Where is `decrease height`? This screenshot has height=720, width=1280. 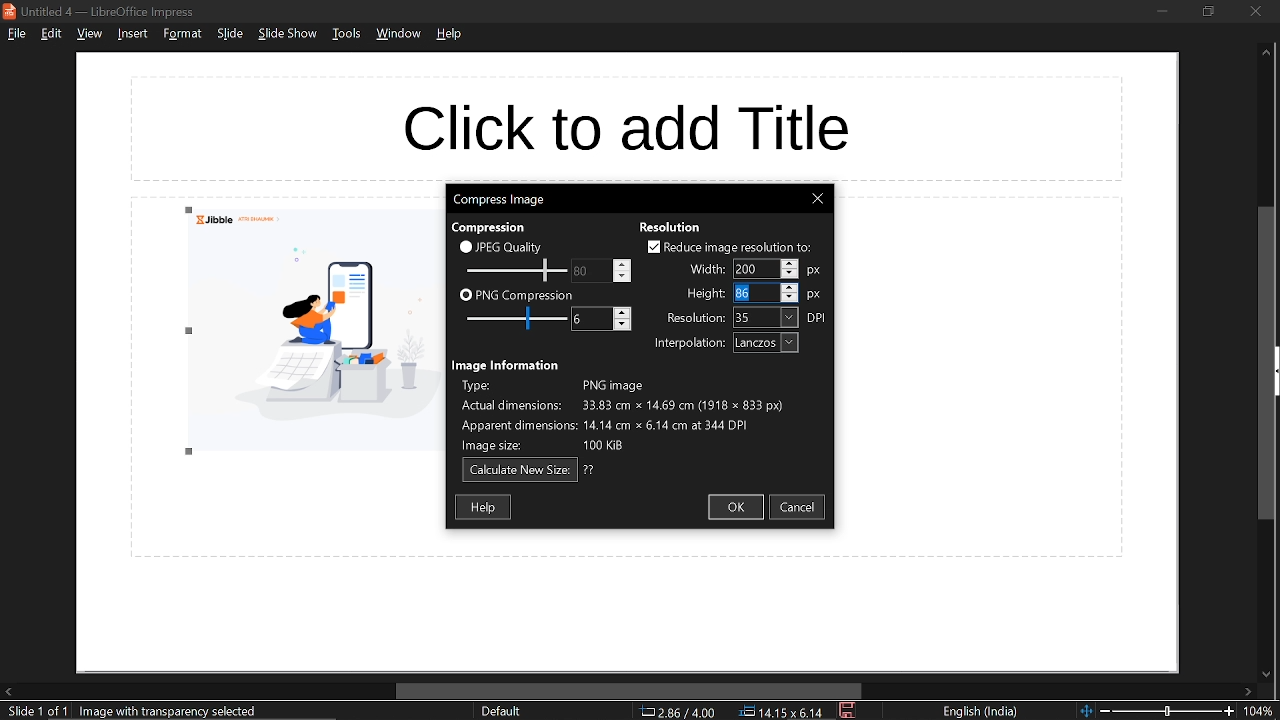 decrease height is located at coordinates (790, 297).